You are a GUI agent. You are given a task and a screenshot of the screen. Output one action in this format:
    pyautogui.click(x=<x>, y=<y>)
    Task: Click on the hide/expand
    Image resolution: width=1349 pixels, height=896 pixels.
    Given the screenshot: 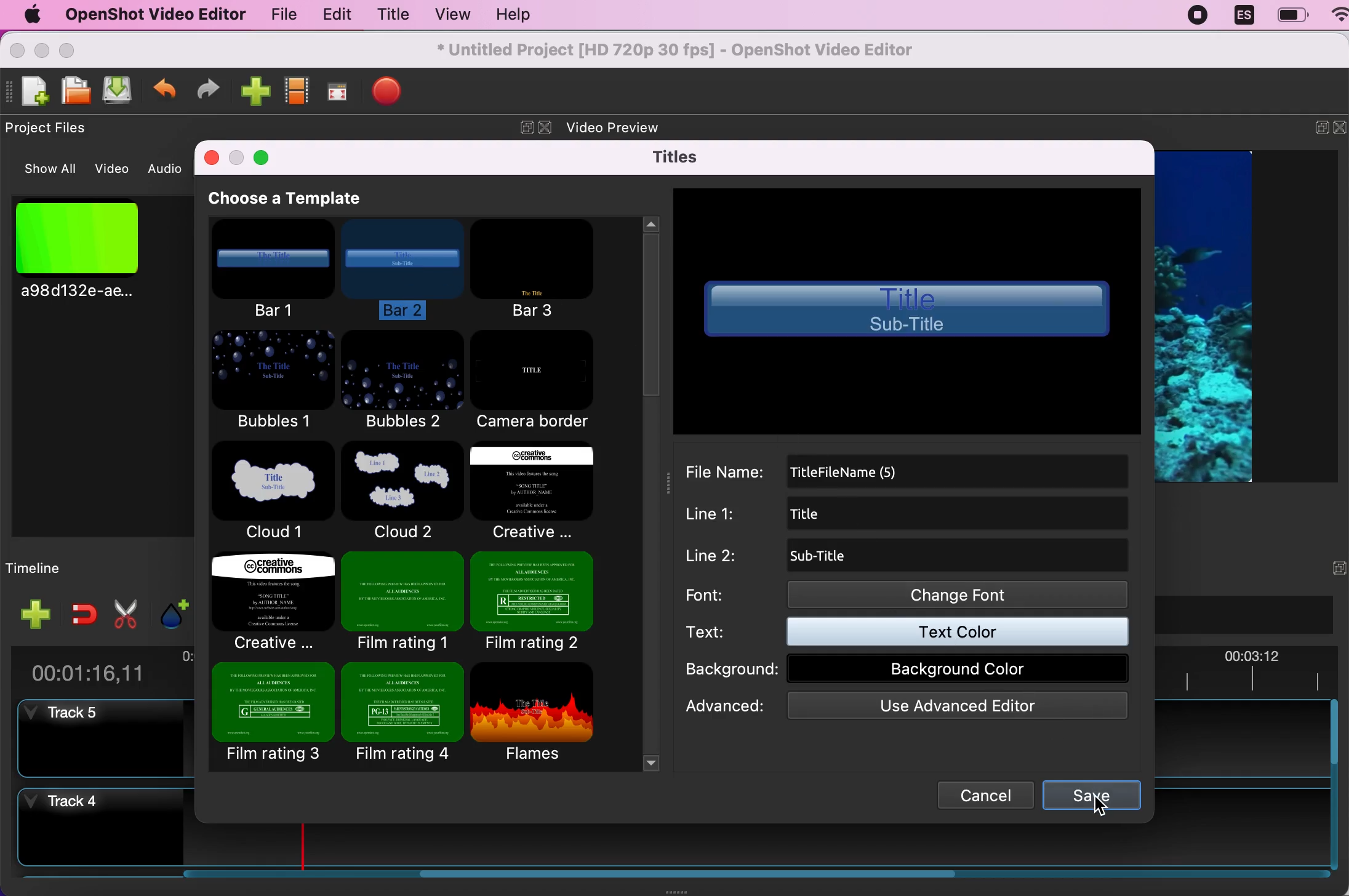 What is the action you would take?
    pyautogui.click(x=517, y=122)
    